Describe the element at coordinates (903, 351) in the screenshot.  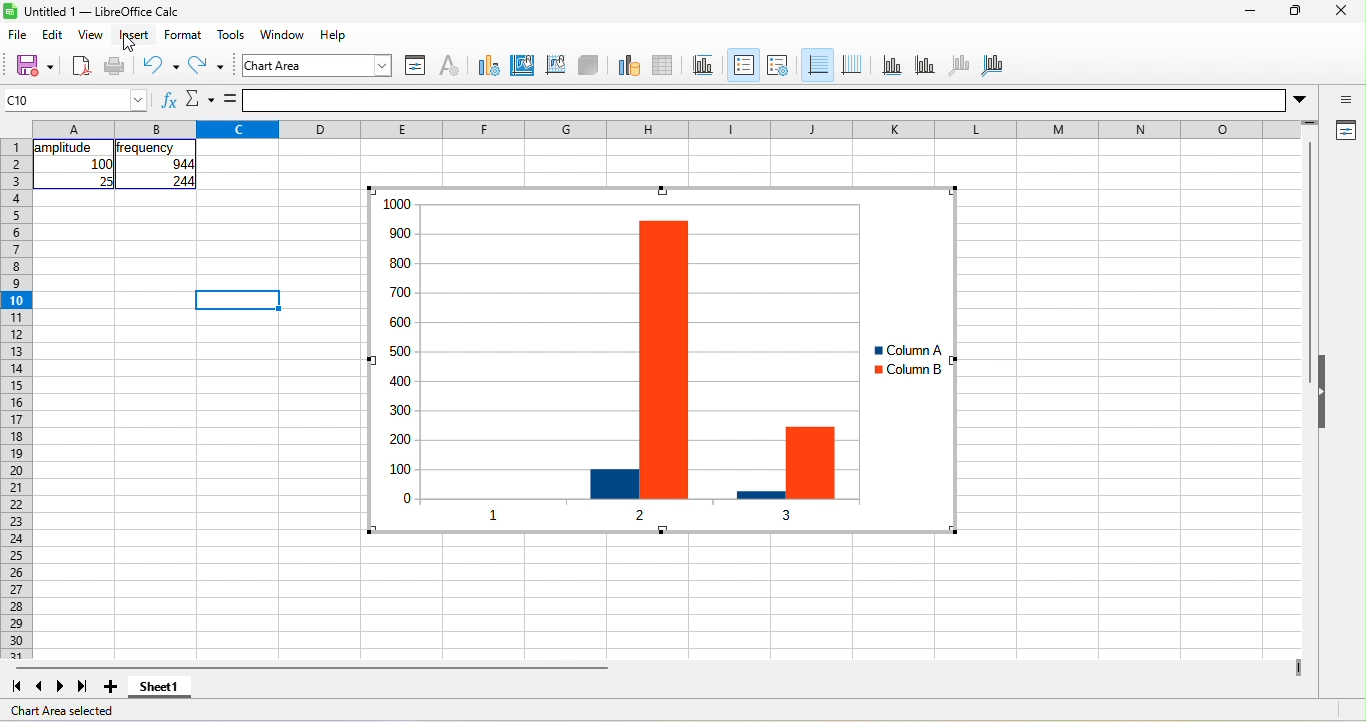
I see `column a` at that location.